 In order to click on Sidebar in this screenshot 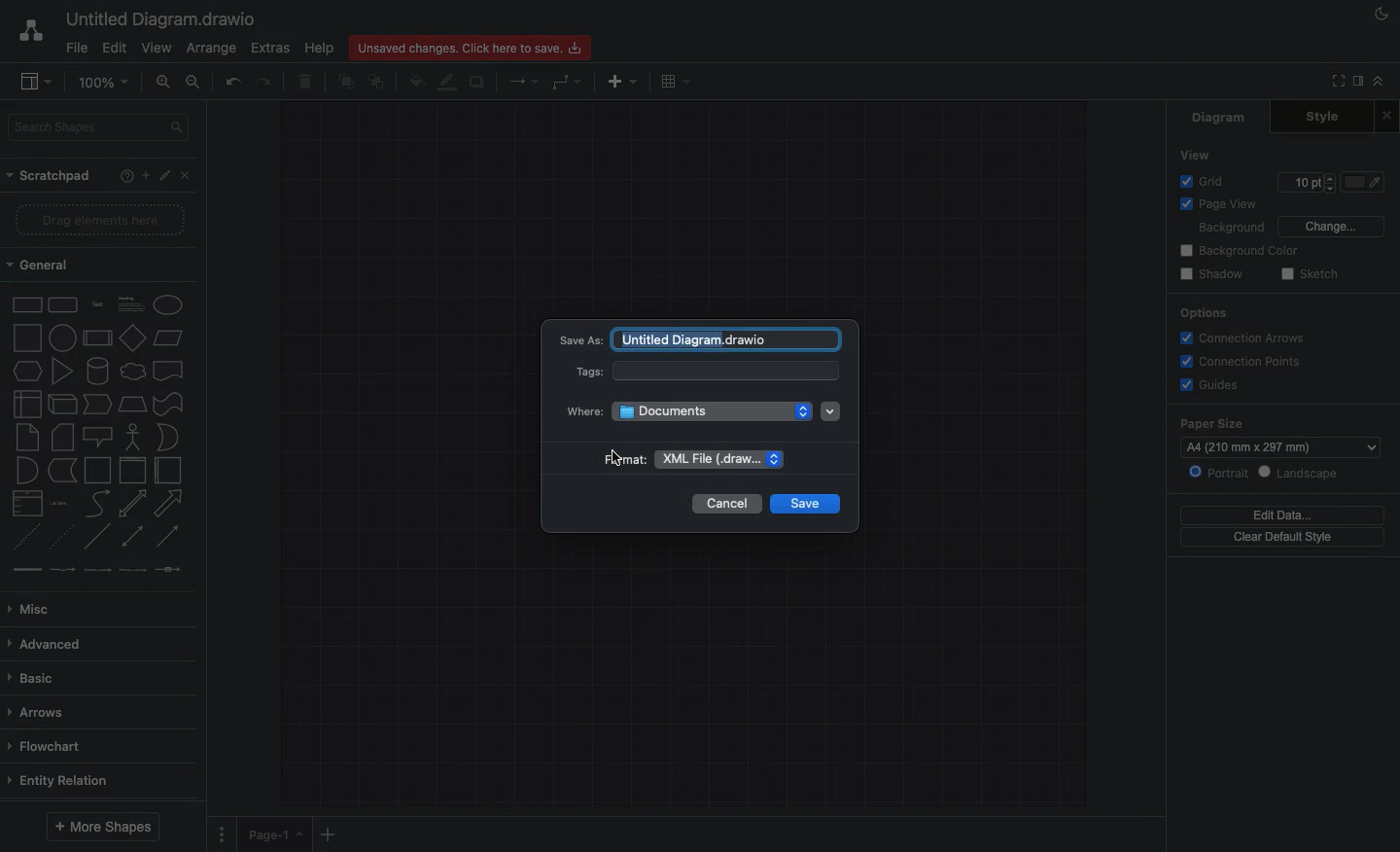, I will do `click(36, 82)`.